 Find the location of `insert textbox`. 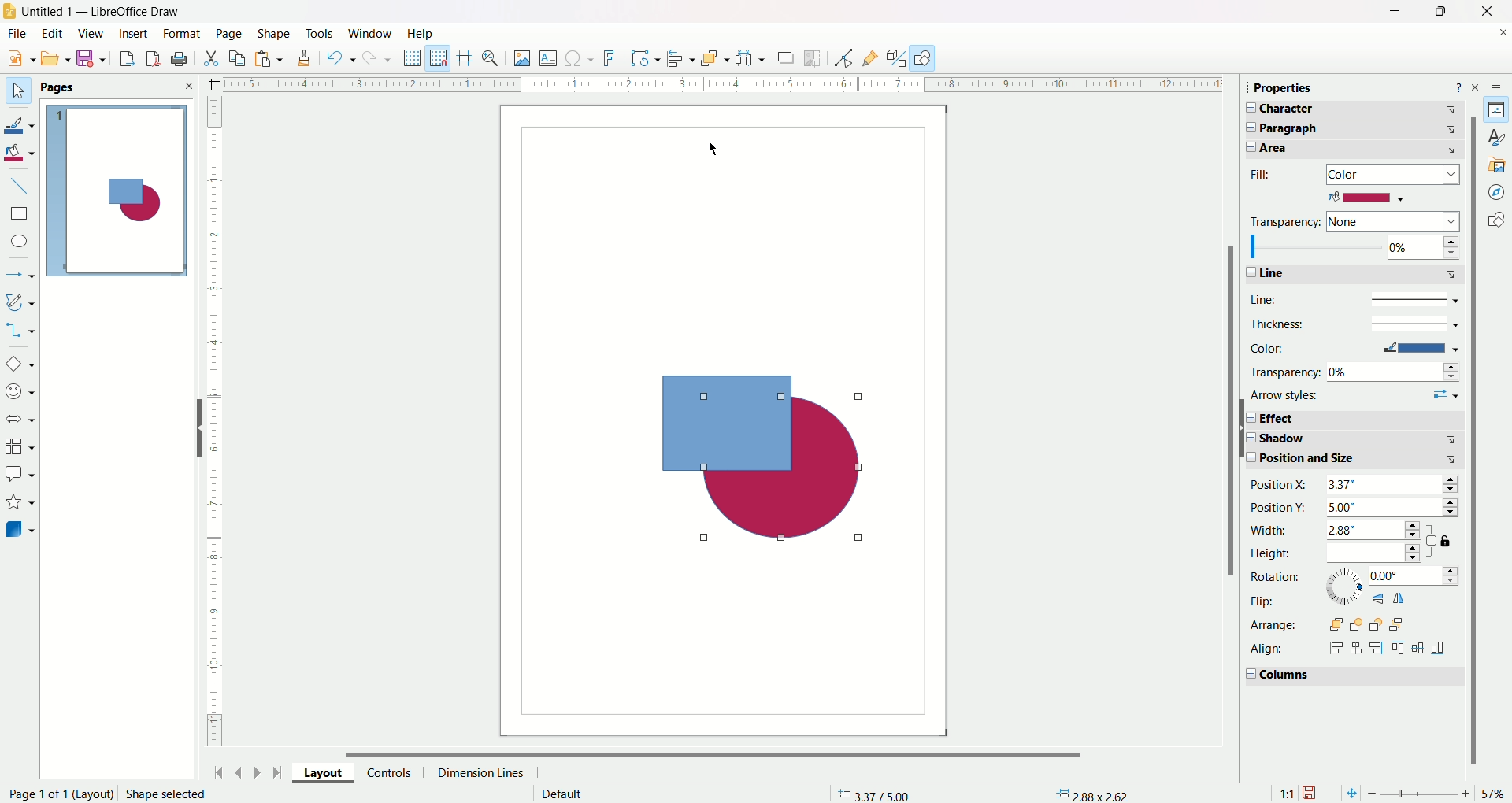

insert textbox is located at coordinates (547, 58).